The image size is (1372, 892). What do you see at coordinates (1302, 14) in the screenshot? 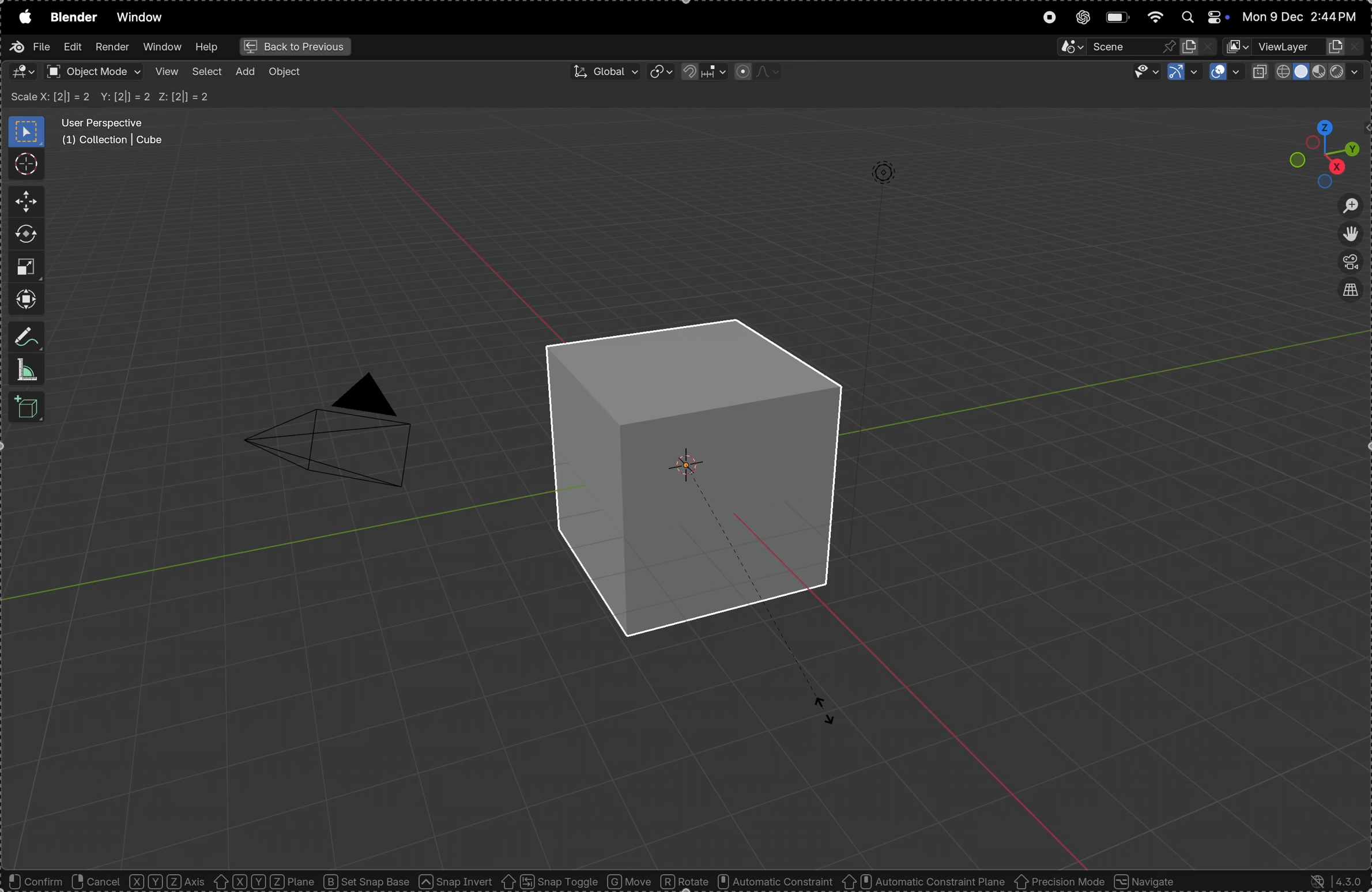
I see `date and time` at bounding box center [1302, 14].